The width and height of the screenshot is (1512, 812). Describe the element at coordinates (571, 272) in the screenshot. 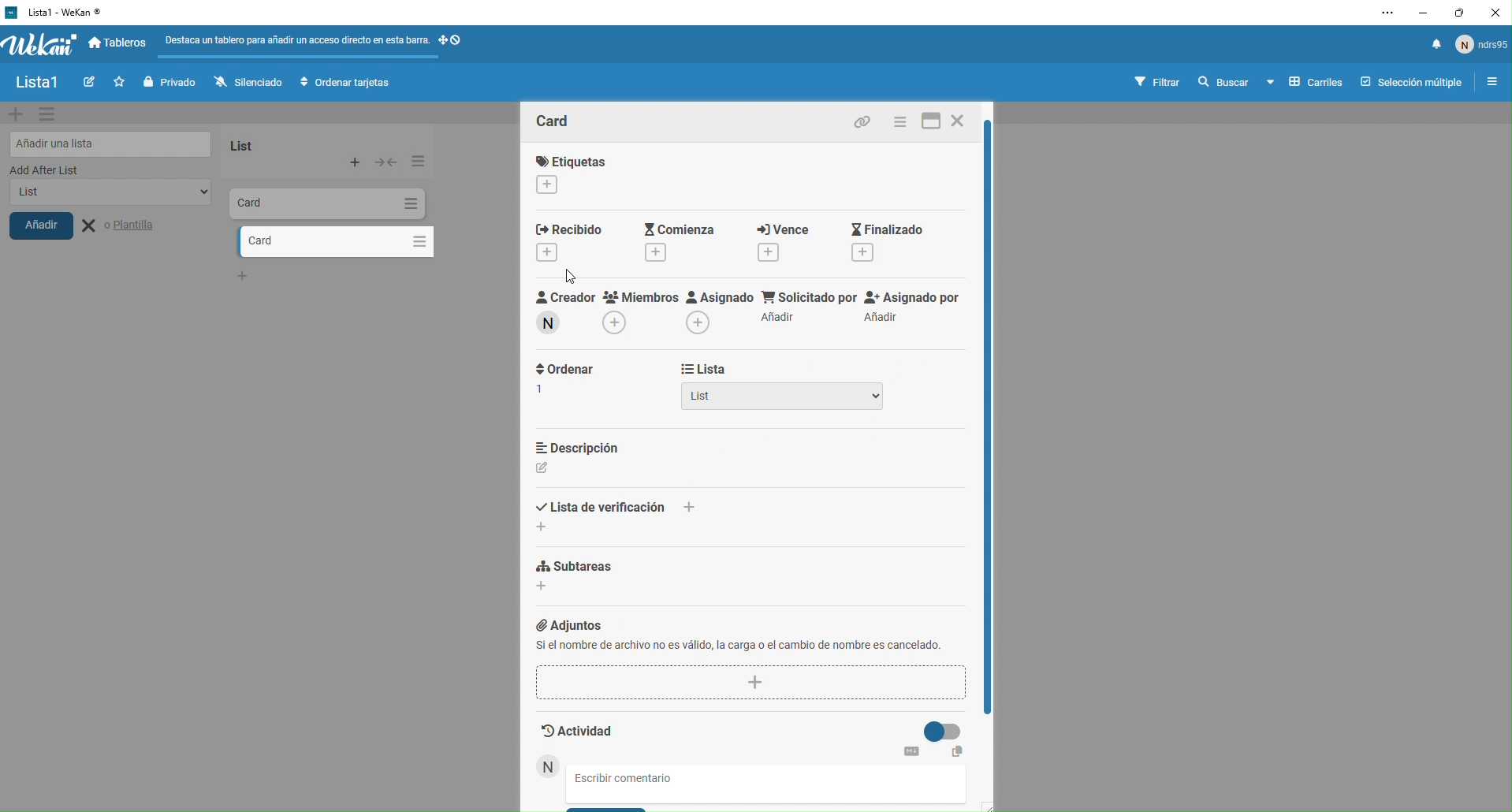

I see `cursor` at that location.